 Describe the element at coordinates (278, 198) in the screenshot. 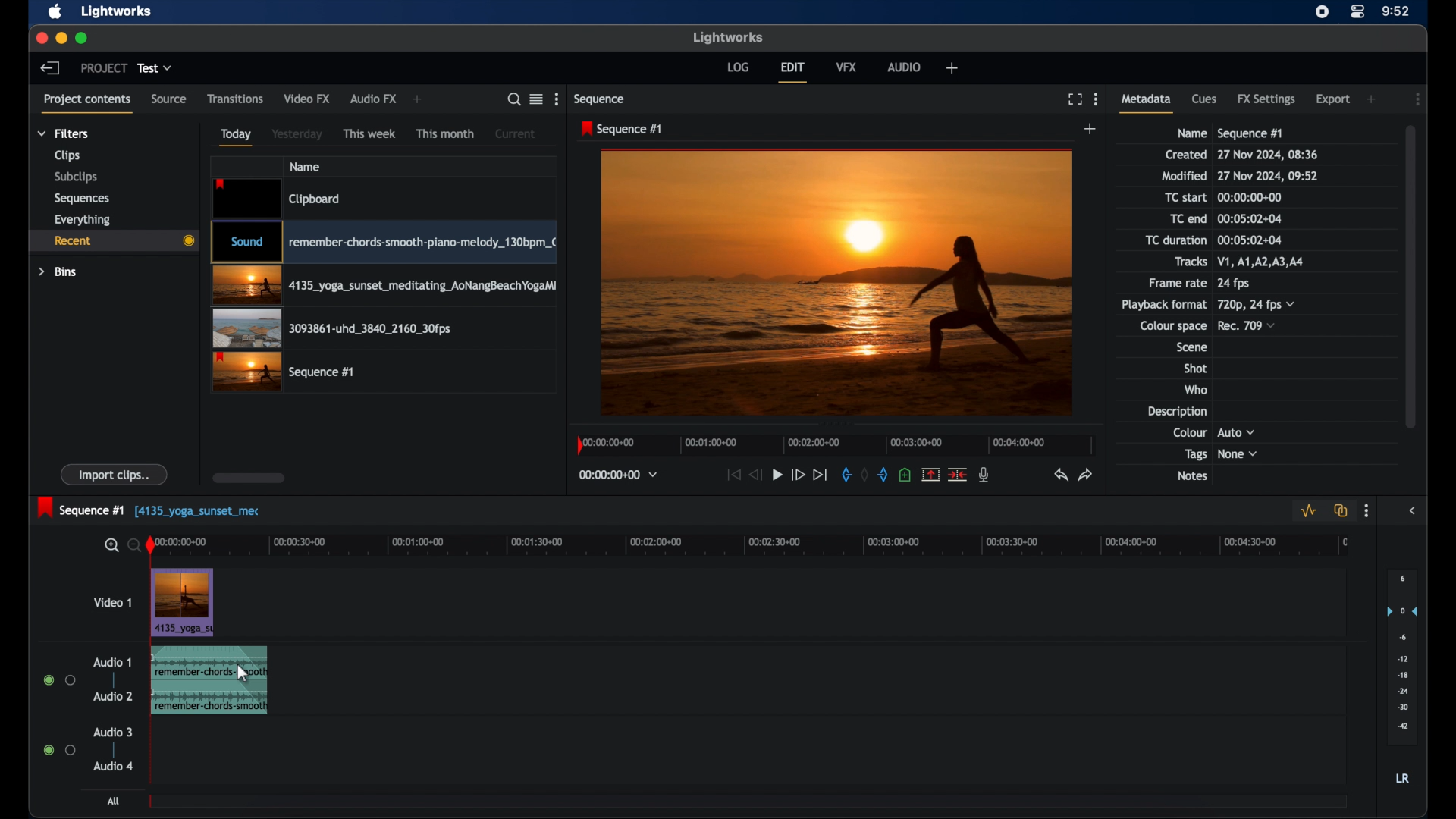

I see `video clip` at that location.